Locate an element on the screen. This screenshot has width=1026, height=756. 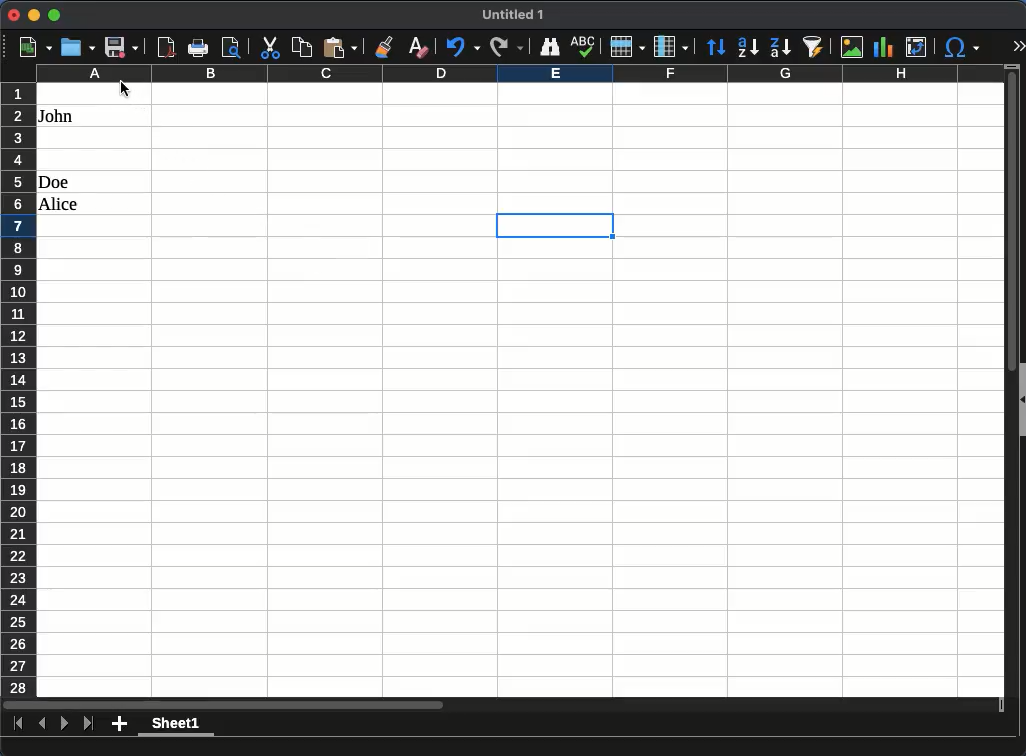
clone formatting is located at coordinates (387, 46).